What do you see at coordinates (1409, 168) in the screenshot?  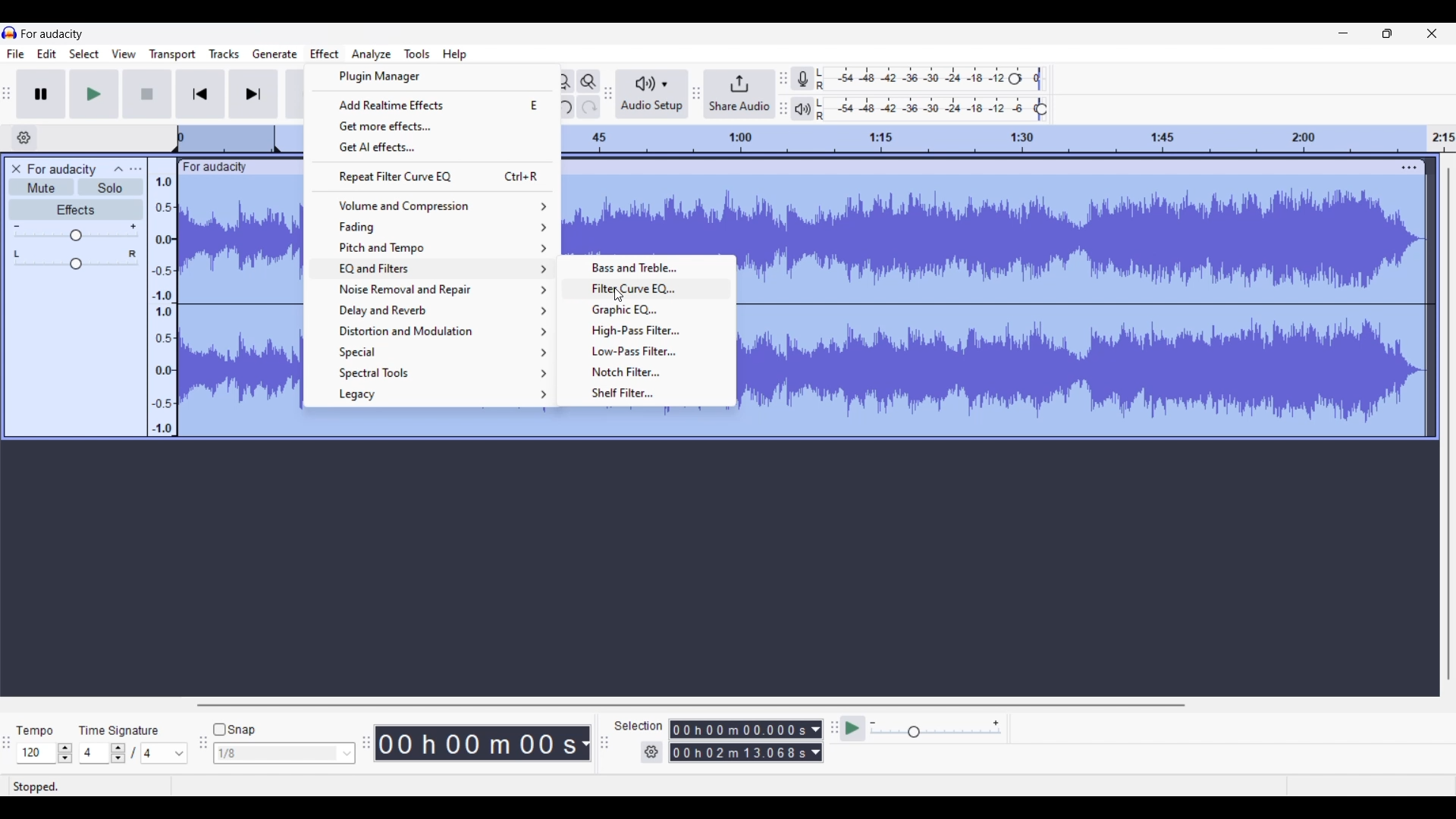 I see `Track settings` at bounding box center [1409, 168].